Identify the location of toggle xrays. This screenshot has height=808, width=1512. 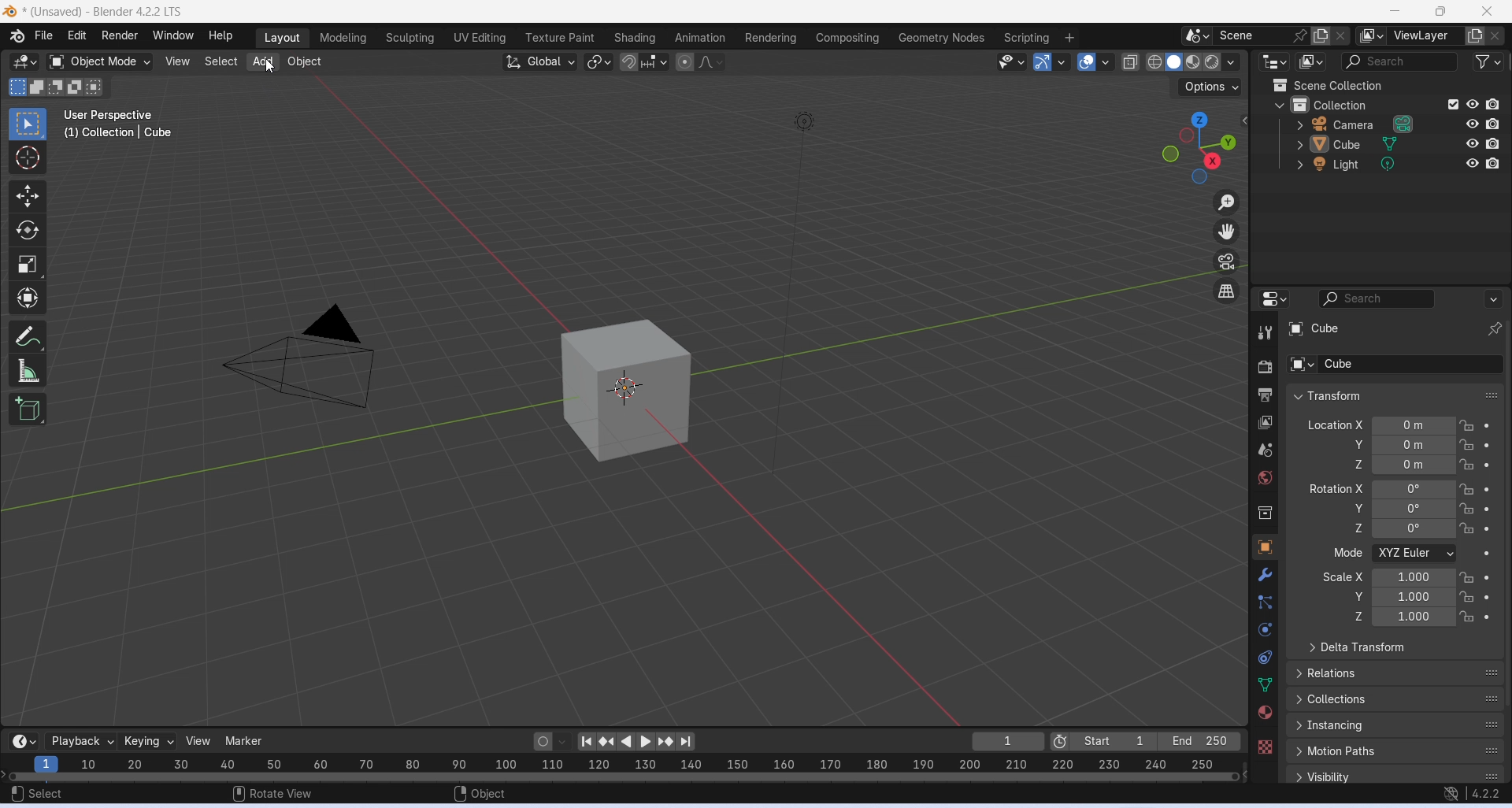
(1131, 62).